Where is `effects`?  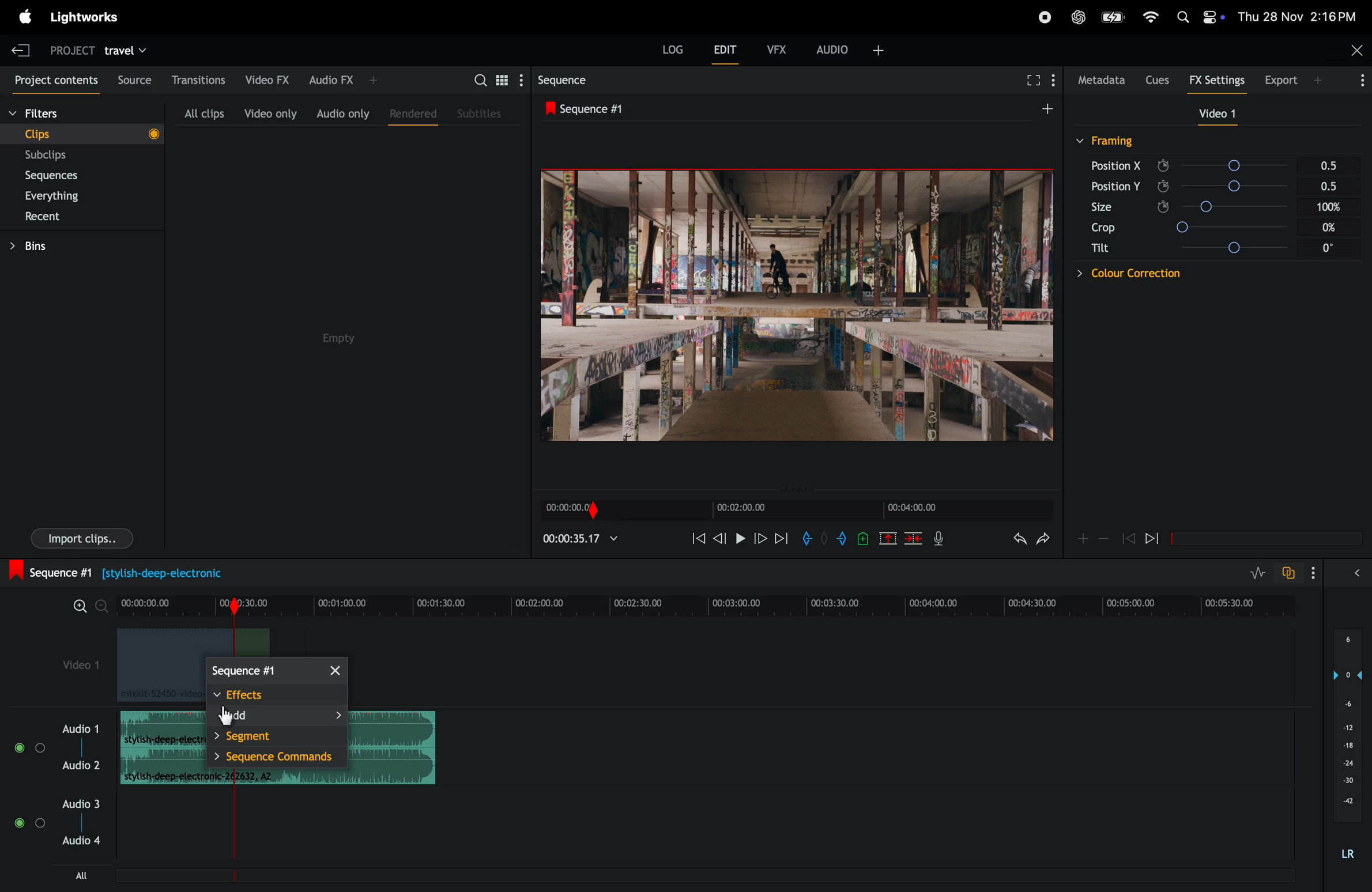 effects is located at coordinates (274, 694).